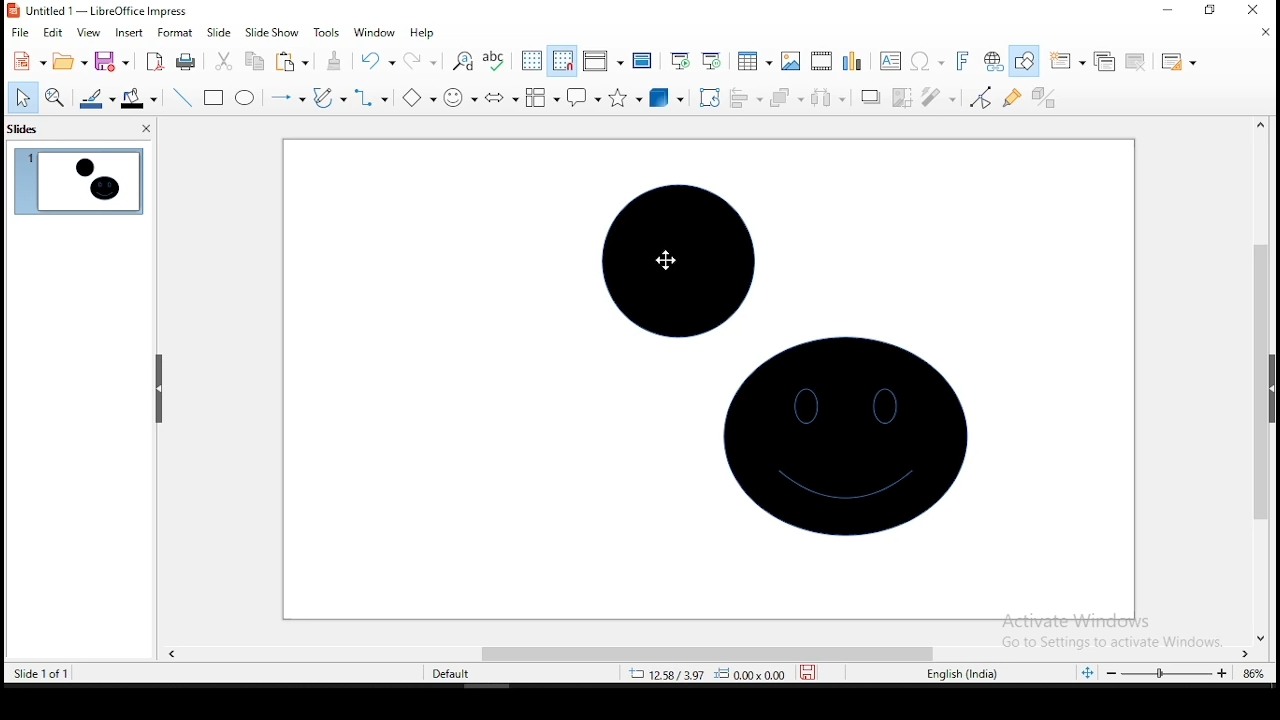 The width and height of the screenshot is (1280, 720). I want to click on connectors, so click(372, 97).